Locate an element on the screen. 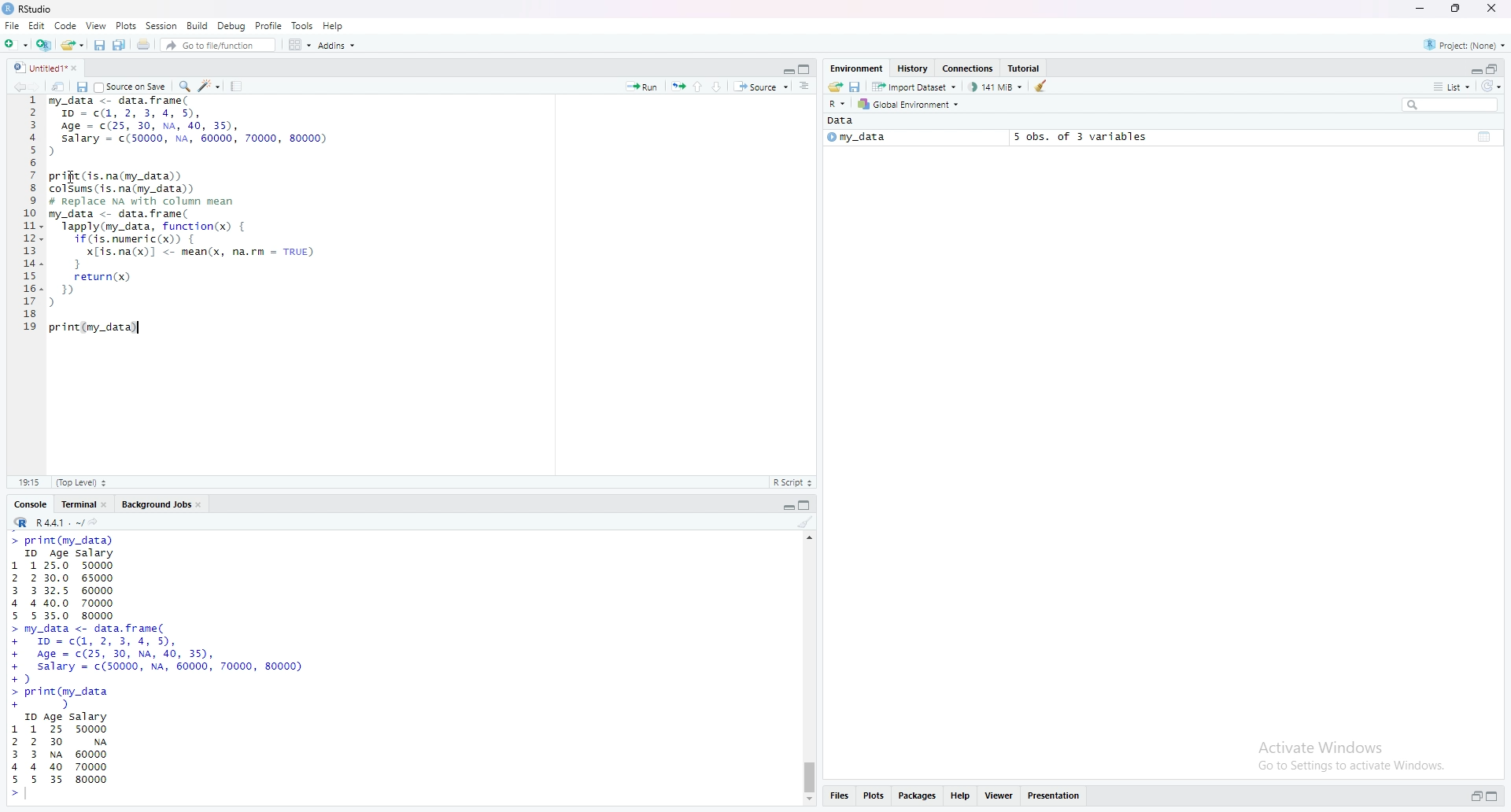 This screenshot has width=1511, height=812. R Script  is located at coordinates (792, 483).